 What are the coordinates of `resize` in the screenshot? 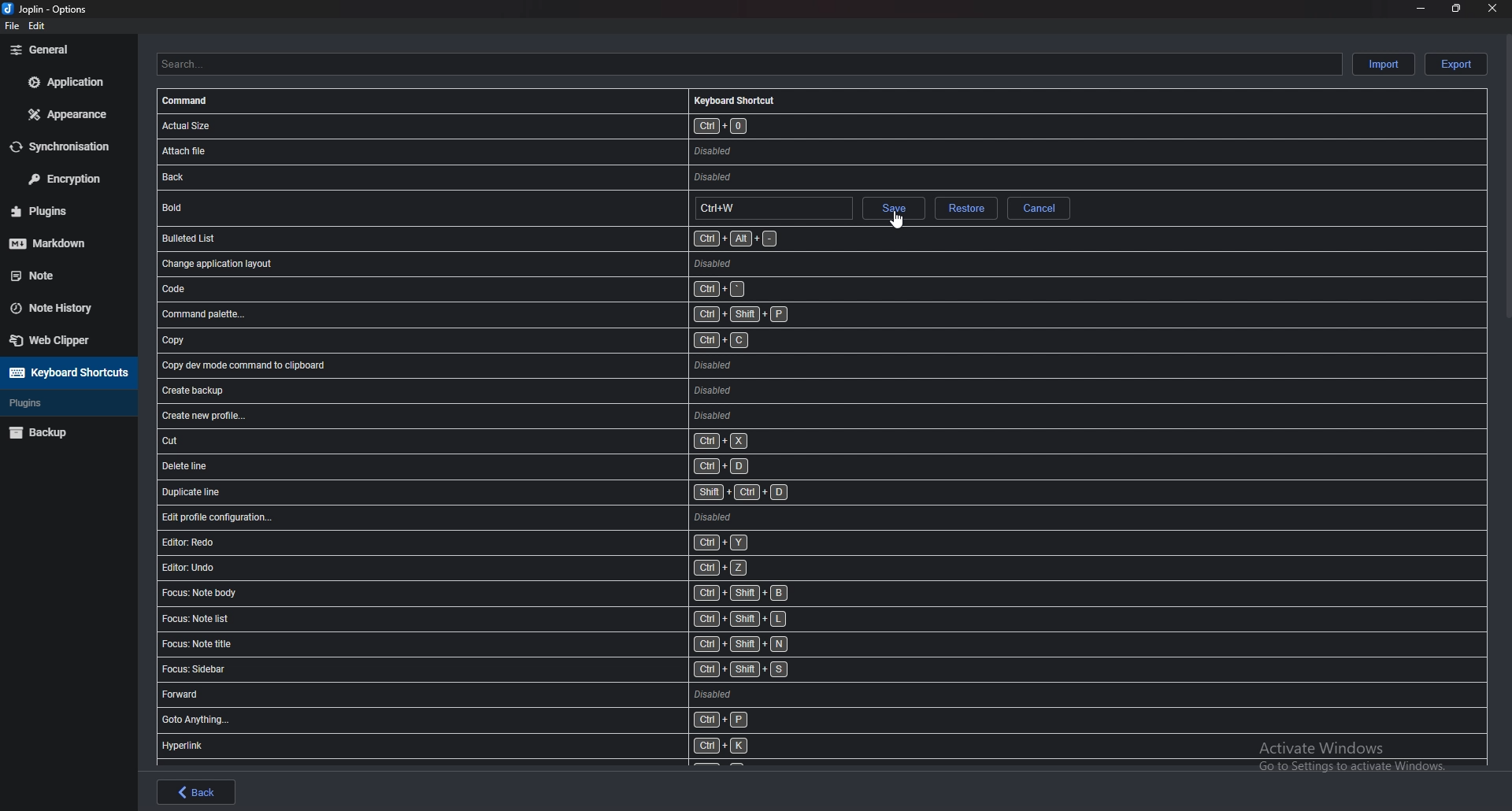 It's located at (1456, 8).